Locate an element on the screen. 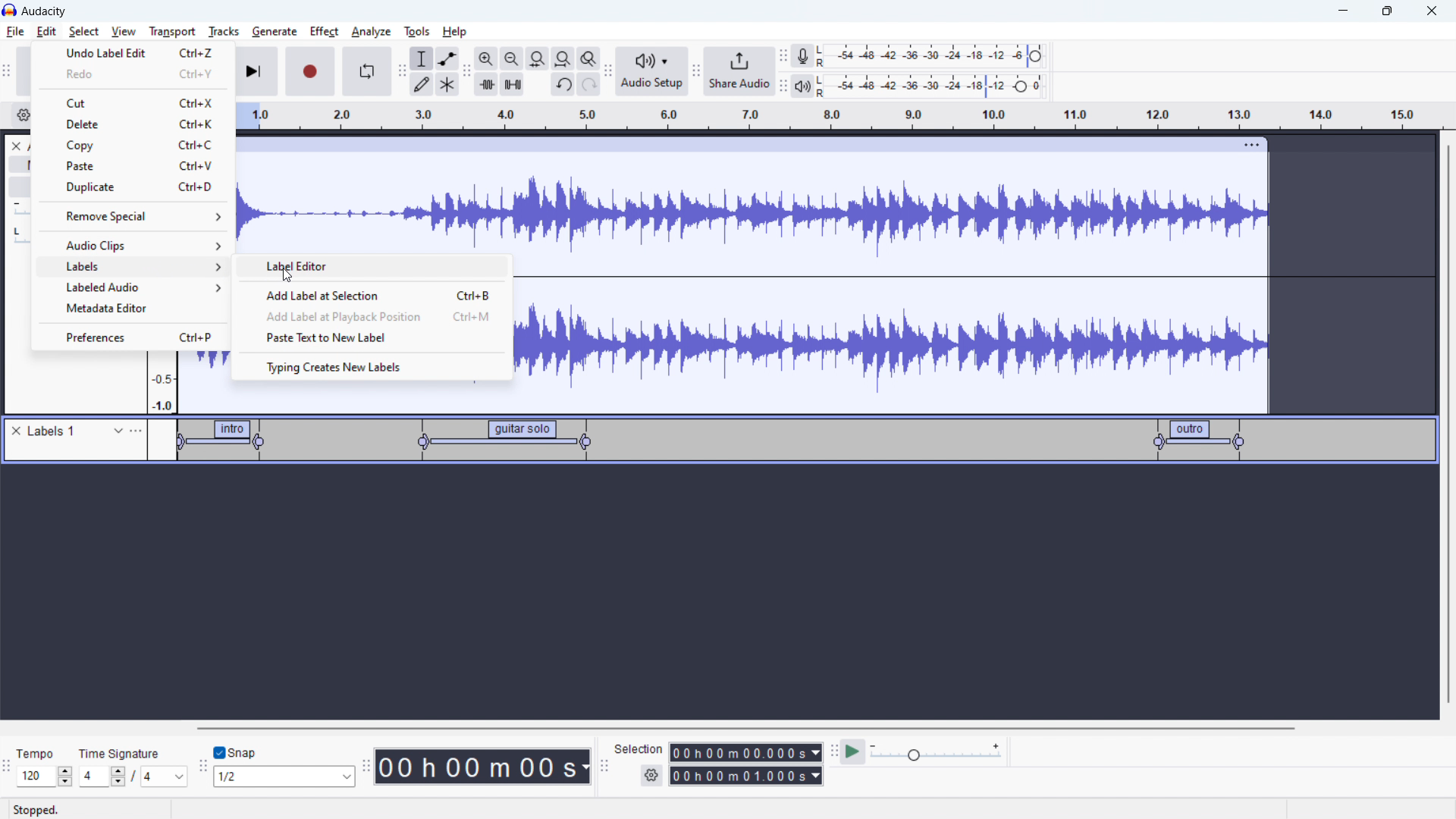  select snapping is located at coordinates (284, 776).